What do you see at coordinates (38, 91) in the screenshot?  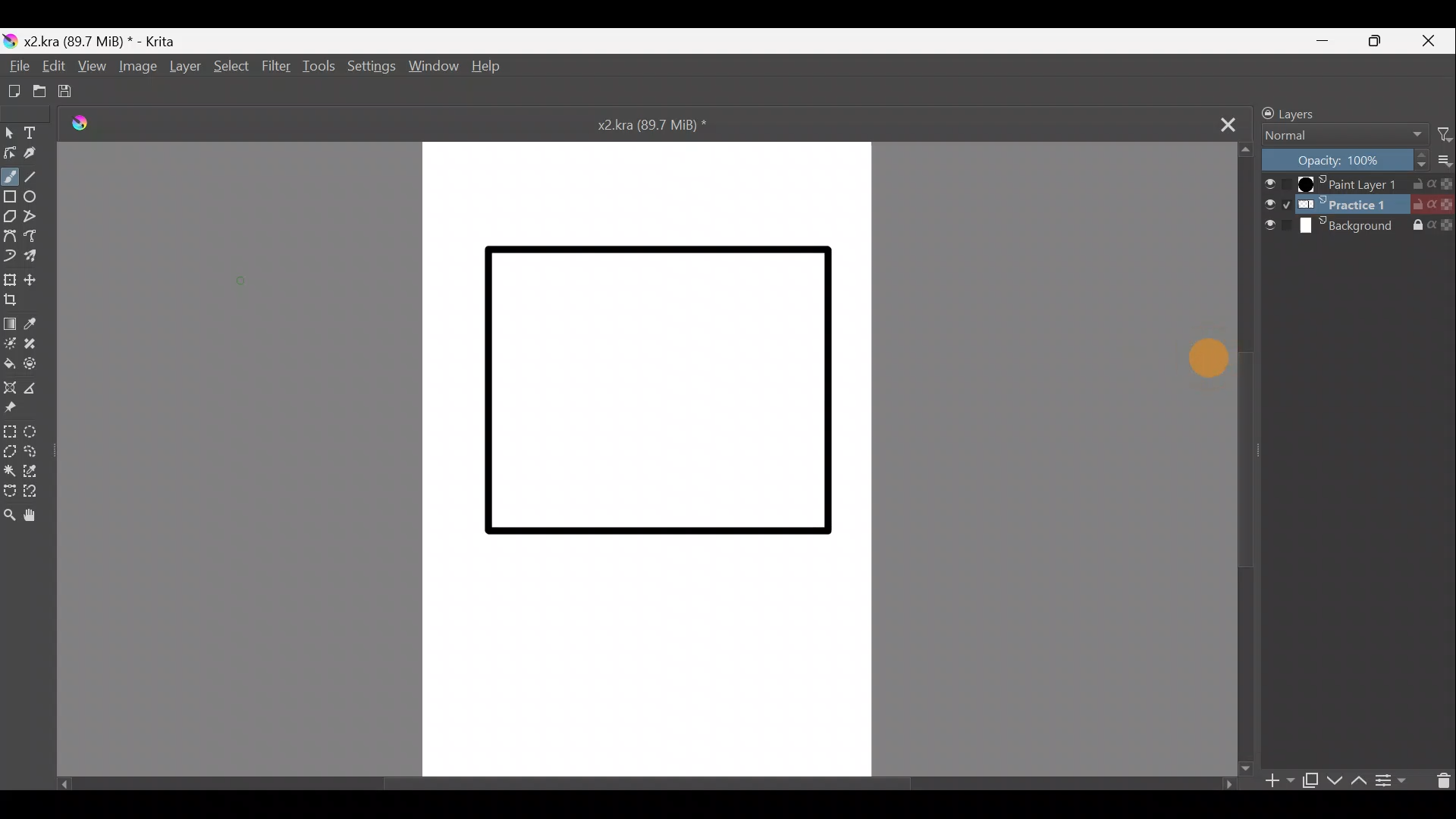 I see `Open an existing document` at bounding box center [38, 91].